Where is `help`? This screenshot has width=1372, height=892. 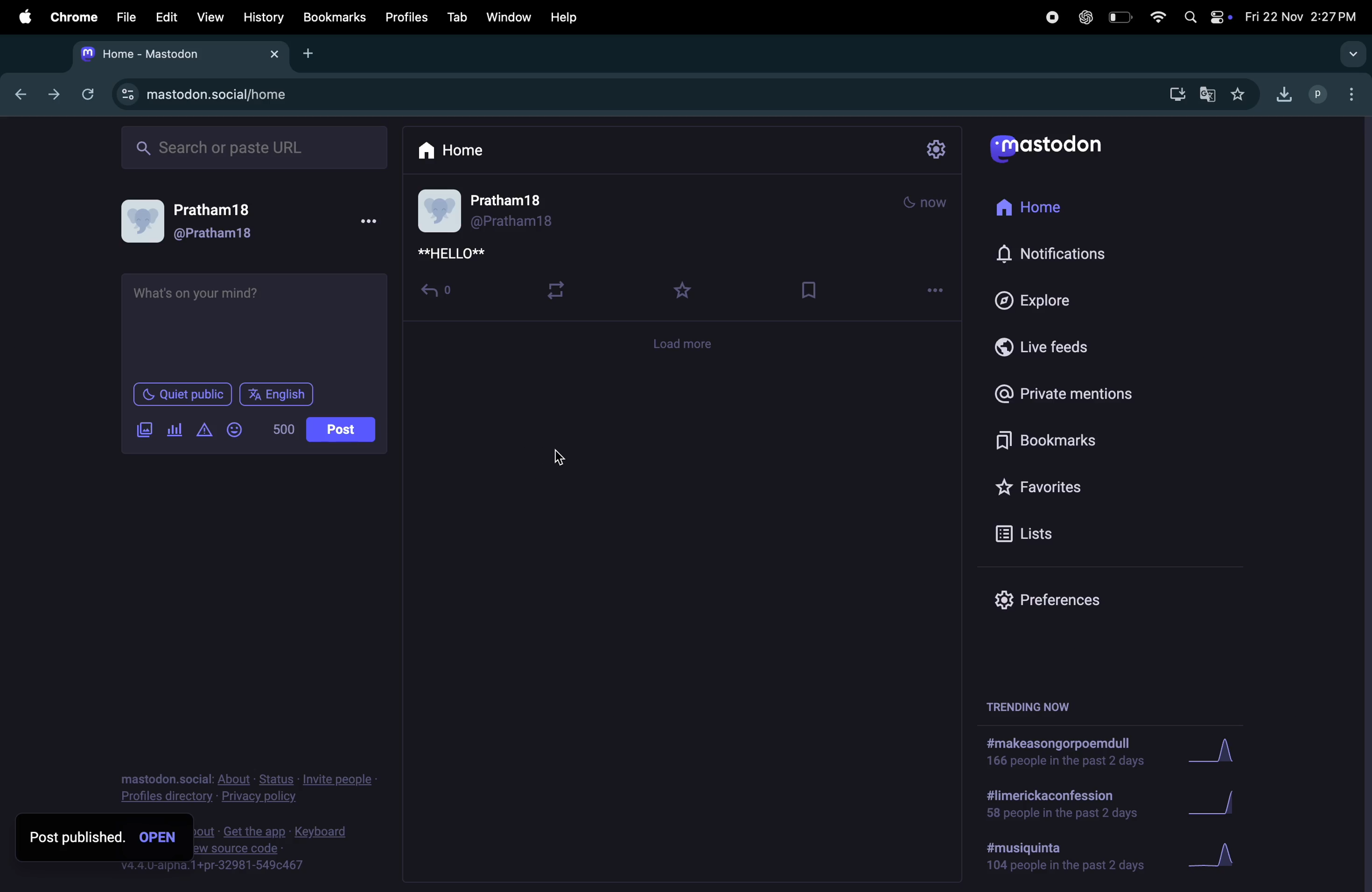 help is located at coordinates (567, 17).